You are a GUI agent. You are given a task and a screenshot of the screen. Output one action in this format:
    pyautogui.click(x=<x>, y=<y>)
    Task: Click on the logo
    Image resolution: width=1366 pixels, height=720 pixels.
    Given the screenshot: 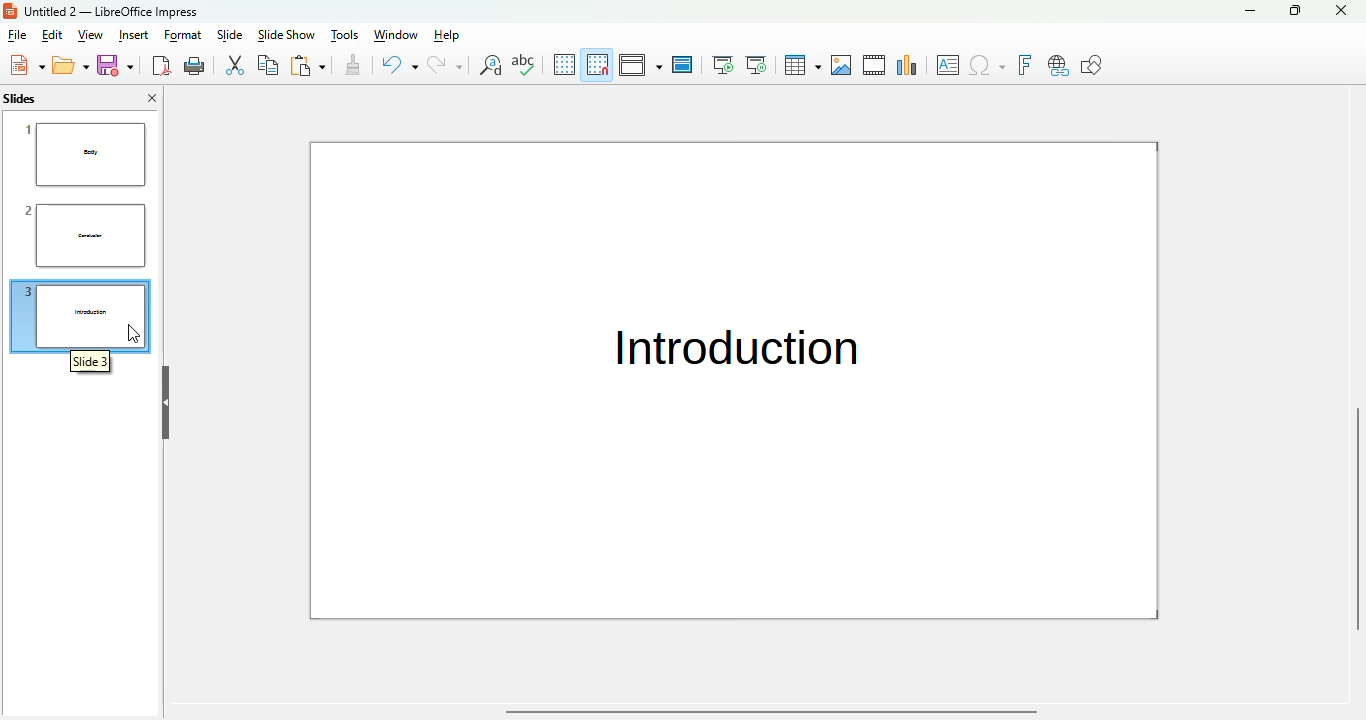 What is the action you would take?
    pyautogui.click(x=10, y=10)
    